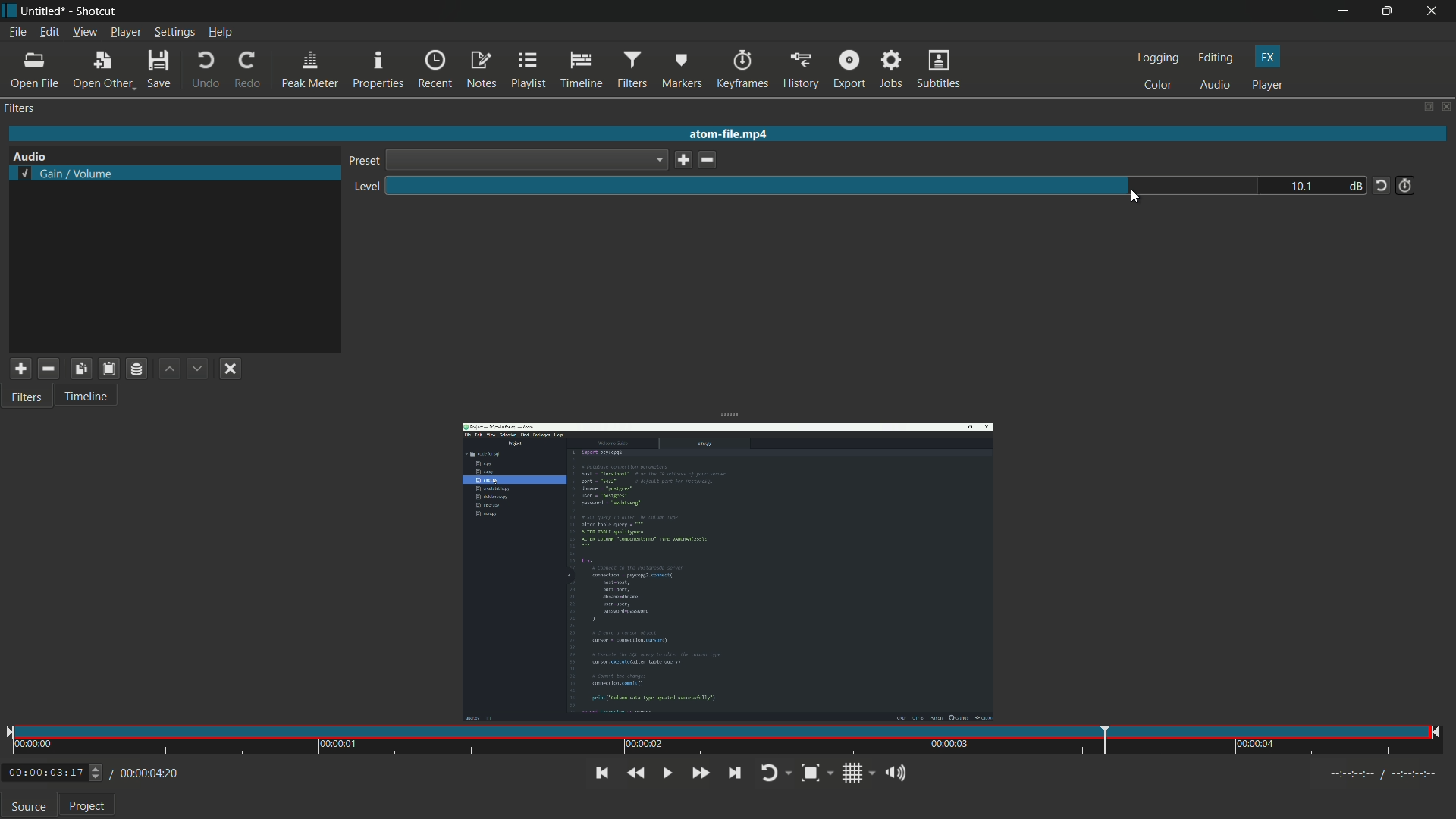  What do you see at coordinates (110, 369) in the screenshot?
I see `paste filter` at bounding box center [110, 369].